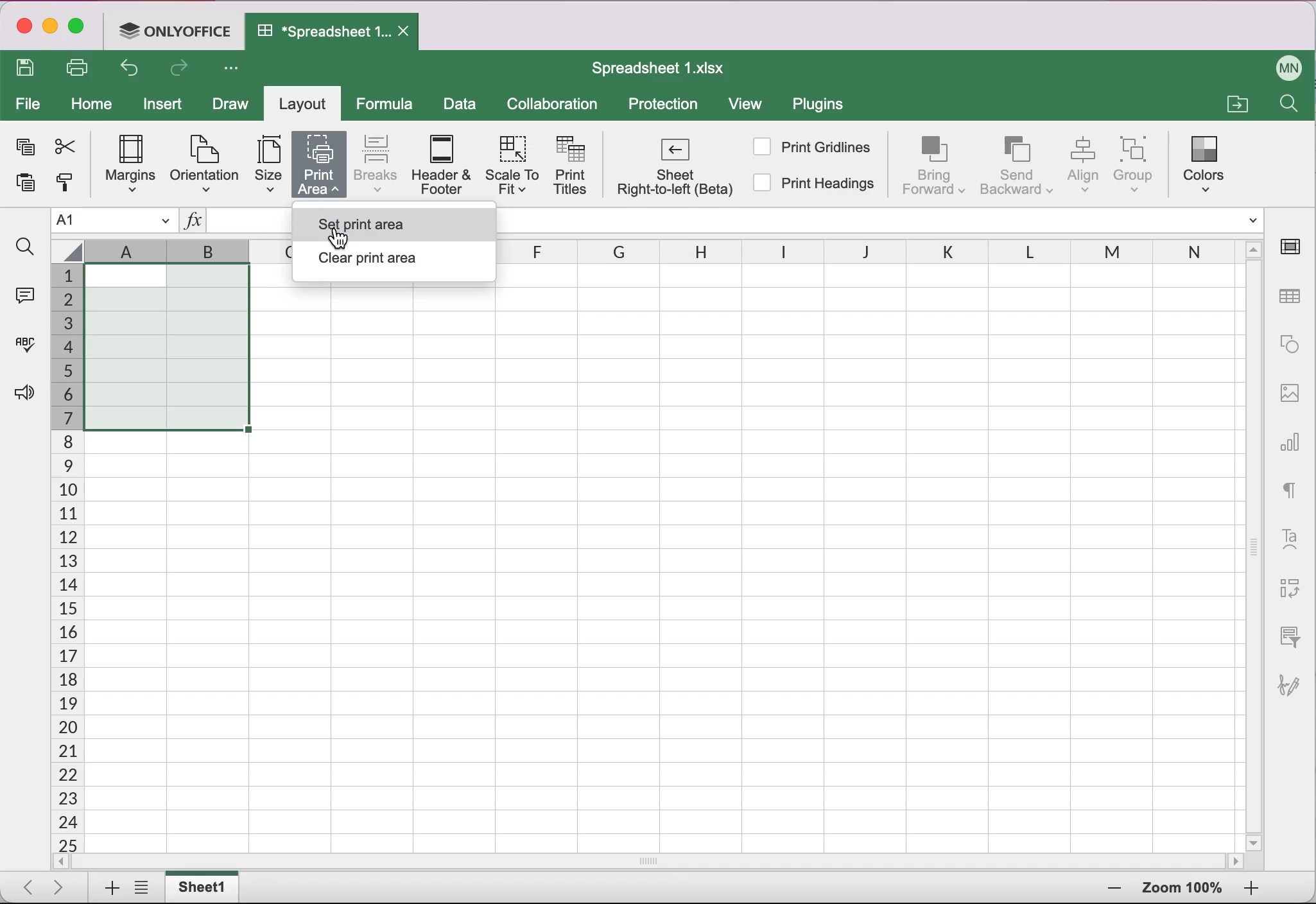 The image size is (1316, 904). Describe the element at coordinates (576, 168) in the screenshot. I see `Print tiles` at that location.